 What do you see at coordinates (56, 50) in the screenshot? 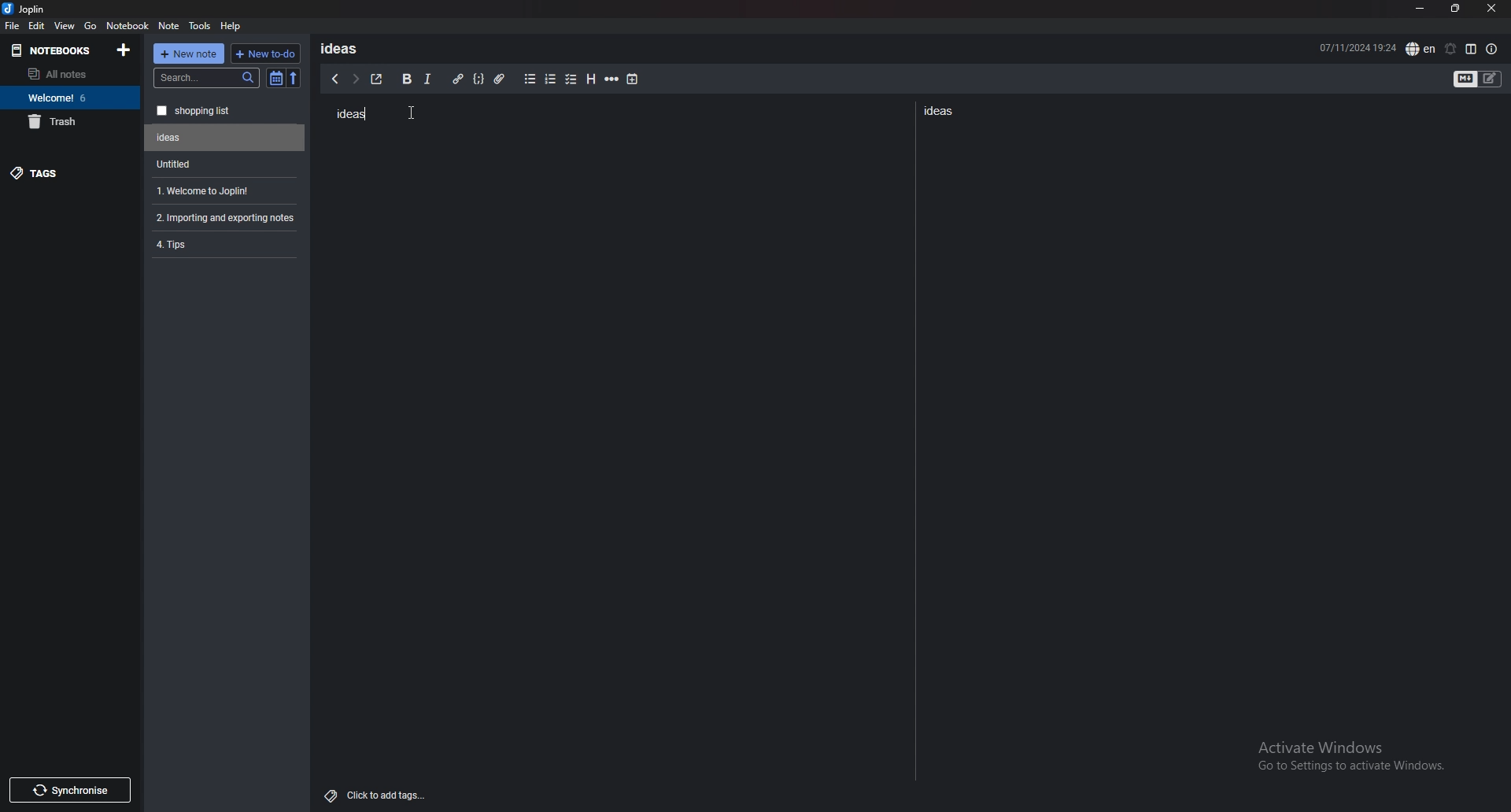
I see `notebooks` at bounding box center [56, 50].